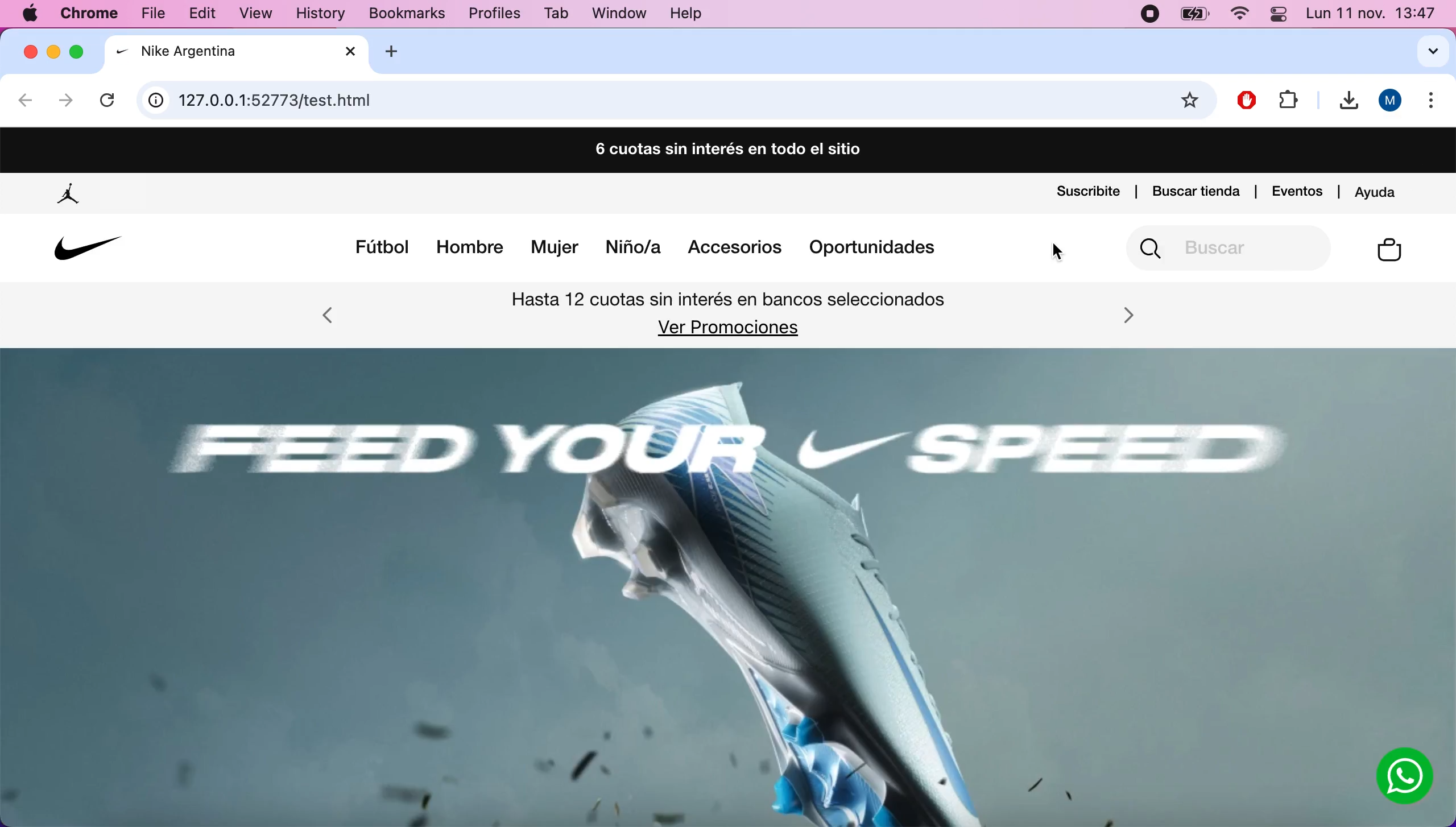 This screenshot has width=1456, height=827. I want to click on search tabs, so click(1424, 51).